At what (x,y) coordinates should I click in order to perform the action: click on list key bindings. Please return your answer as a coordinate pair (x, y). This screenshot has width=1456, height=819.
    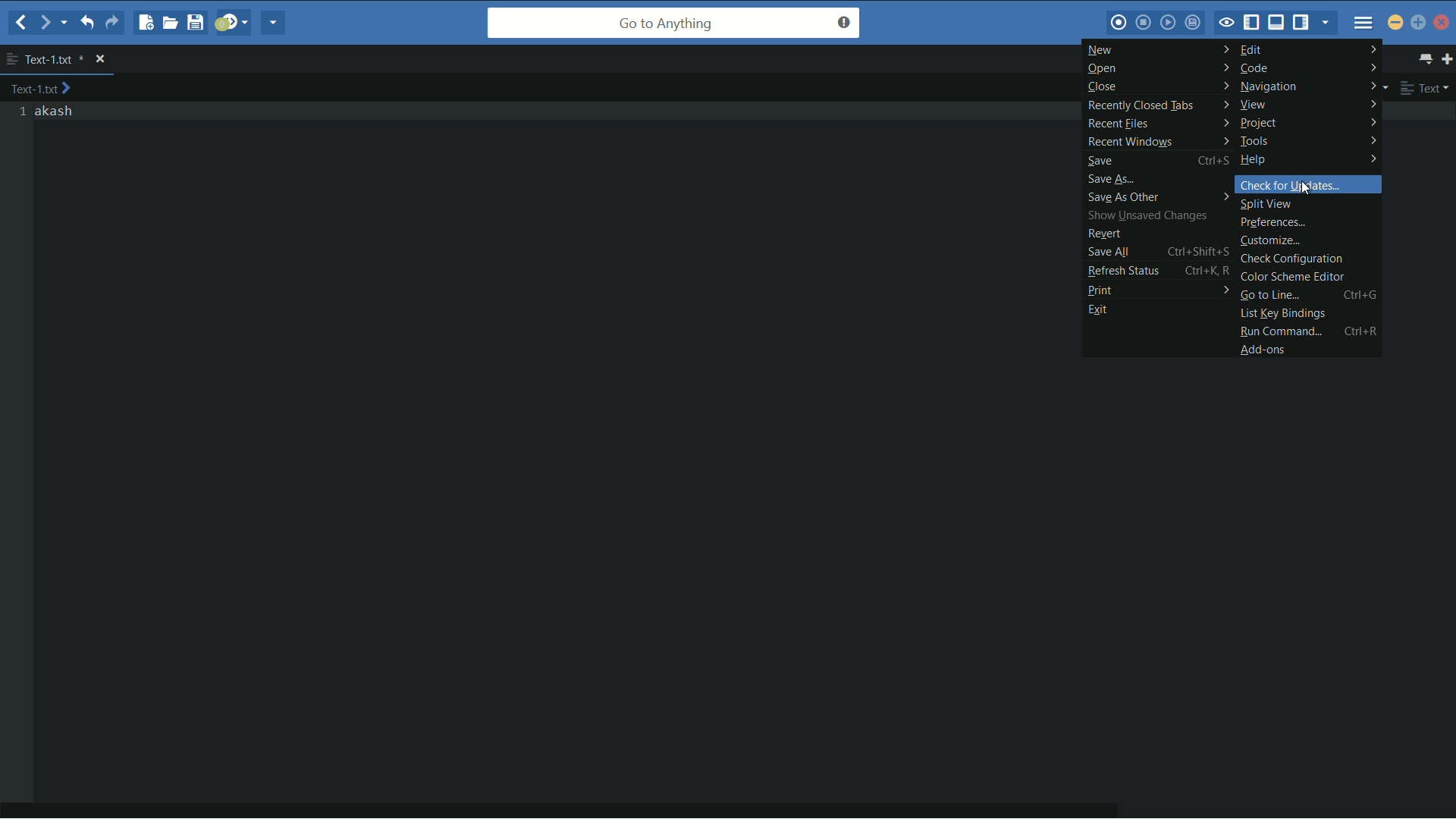
    Looking at the image, I should click on (1308, 313).